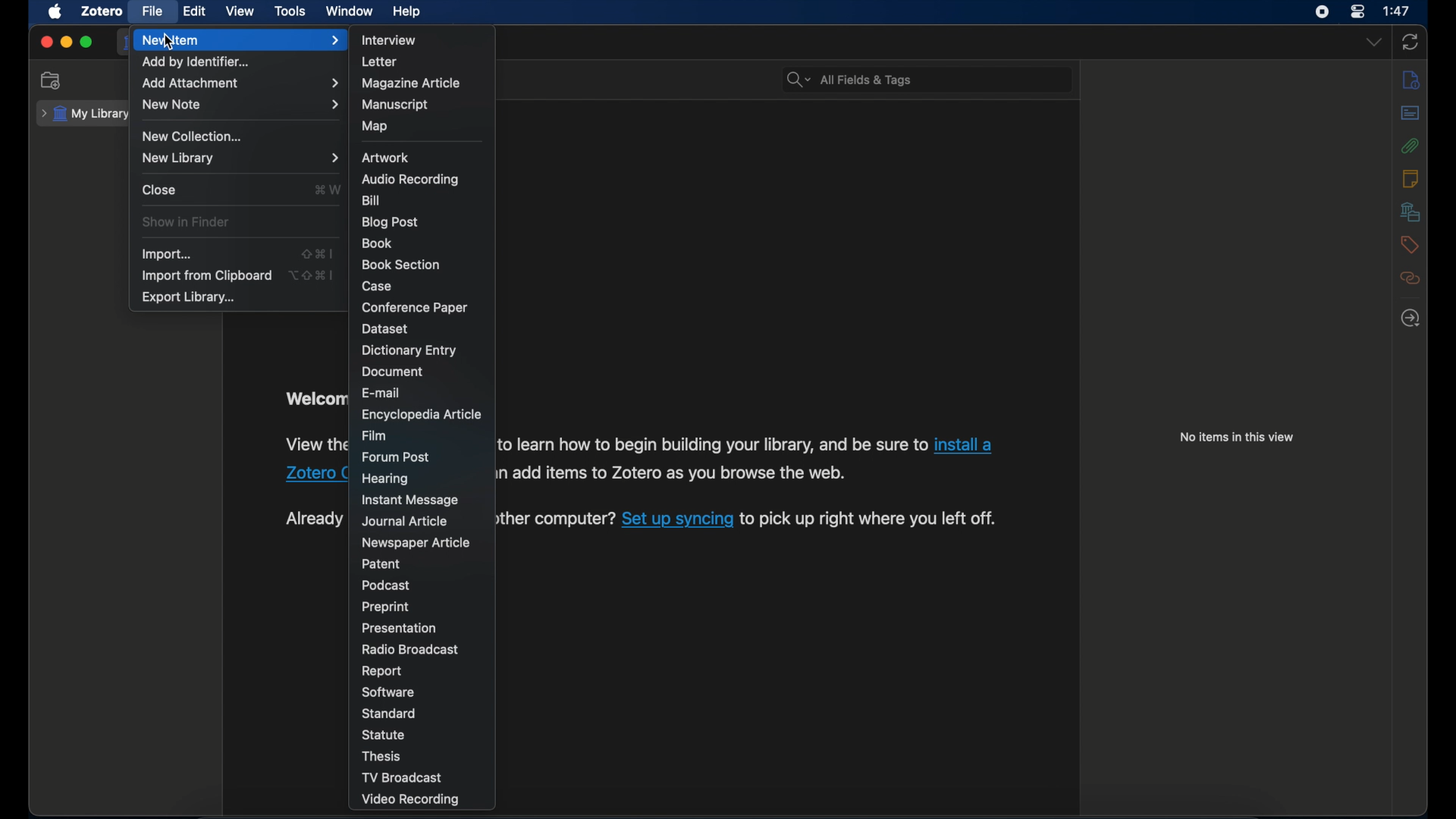  What do you see at coordinates (185, 222) in the screenshot?
I see `show in finder` at bounding box center [185, 222].